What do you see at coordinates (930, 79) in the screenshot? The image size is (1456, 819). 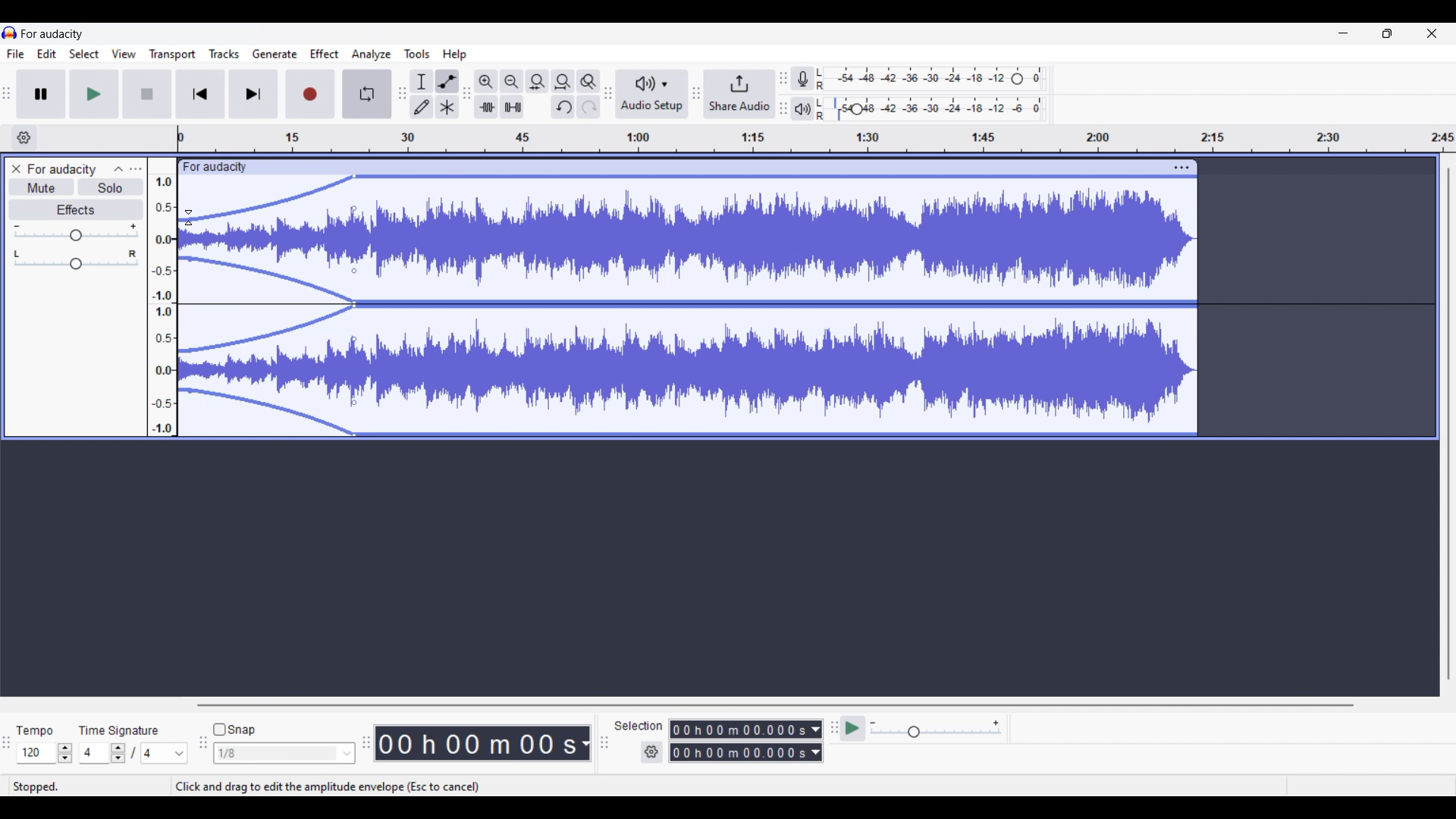 I see `Recording level` at bounding box center [930, 79].